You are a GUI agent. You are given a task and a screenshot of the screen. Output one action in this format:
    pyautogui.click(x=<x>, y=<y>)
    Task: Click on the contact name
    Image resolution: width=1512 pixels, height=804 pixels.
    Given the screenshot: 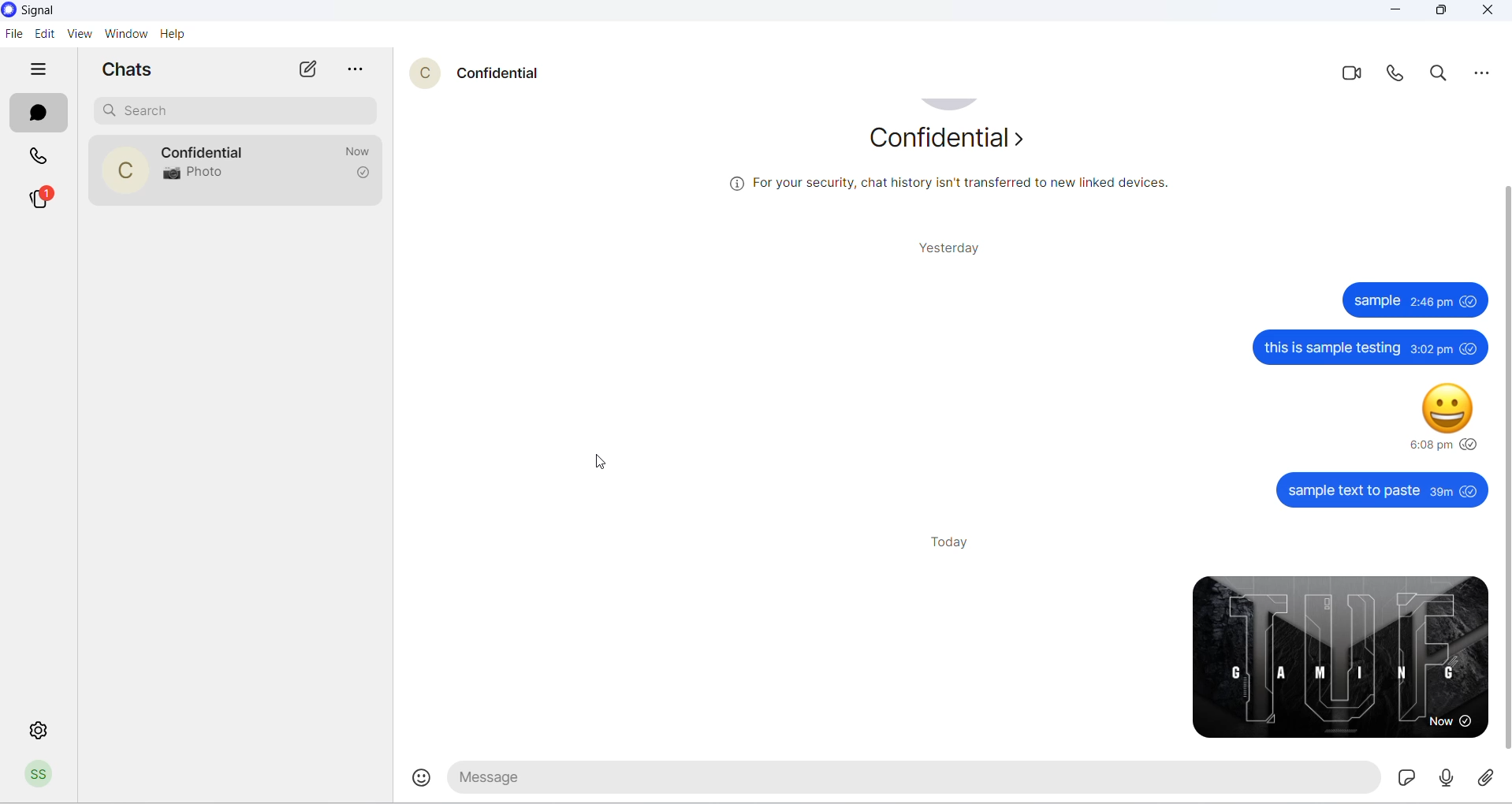 What is the action you would take?
    pyautogui.click(x=505, y=71)
    